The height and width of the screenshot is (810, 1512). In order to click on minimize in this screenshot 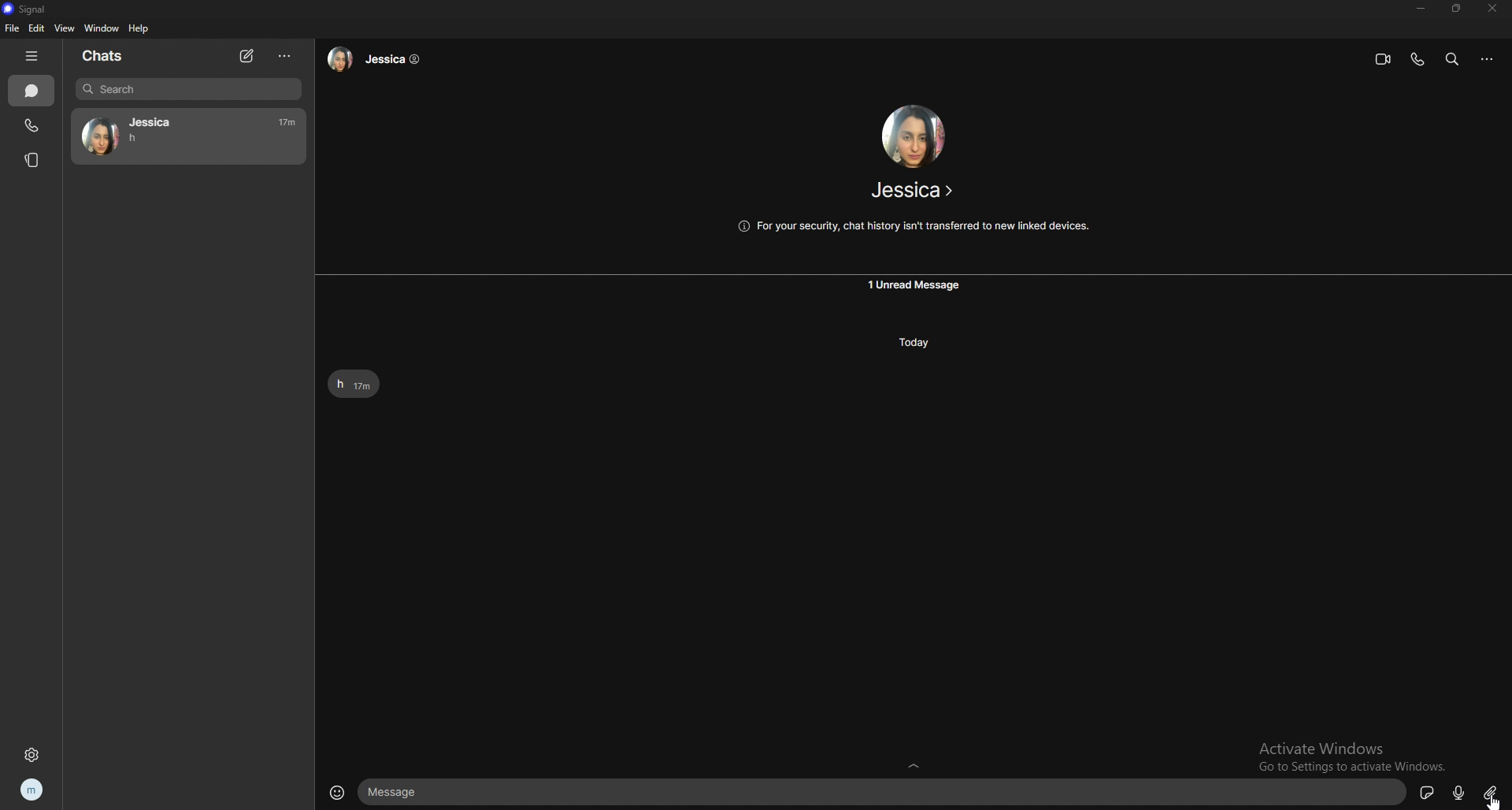, I will do `click(1420, 9)`.